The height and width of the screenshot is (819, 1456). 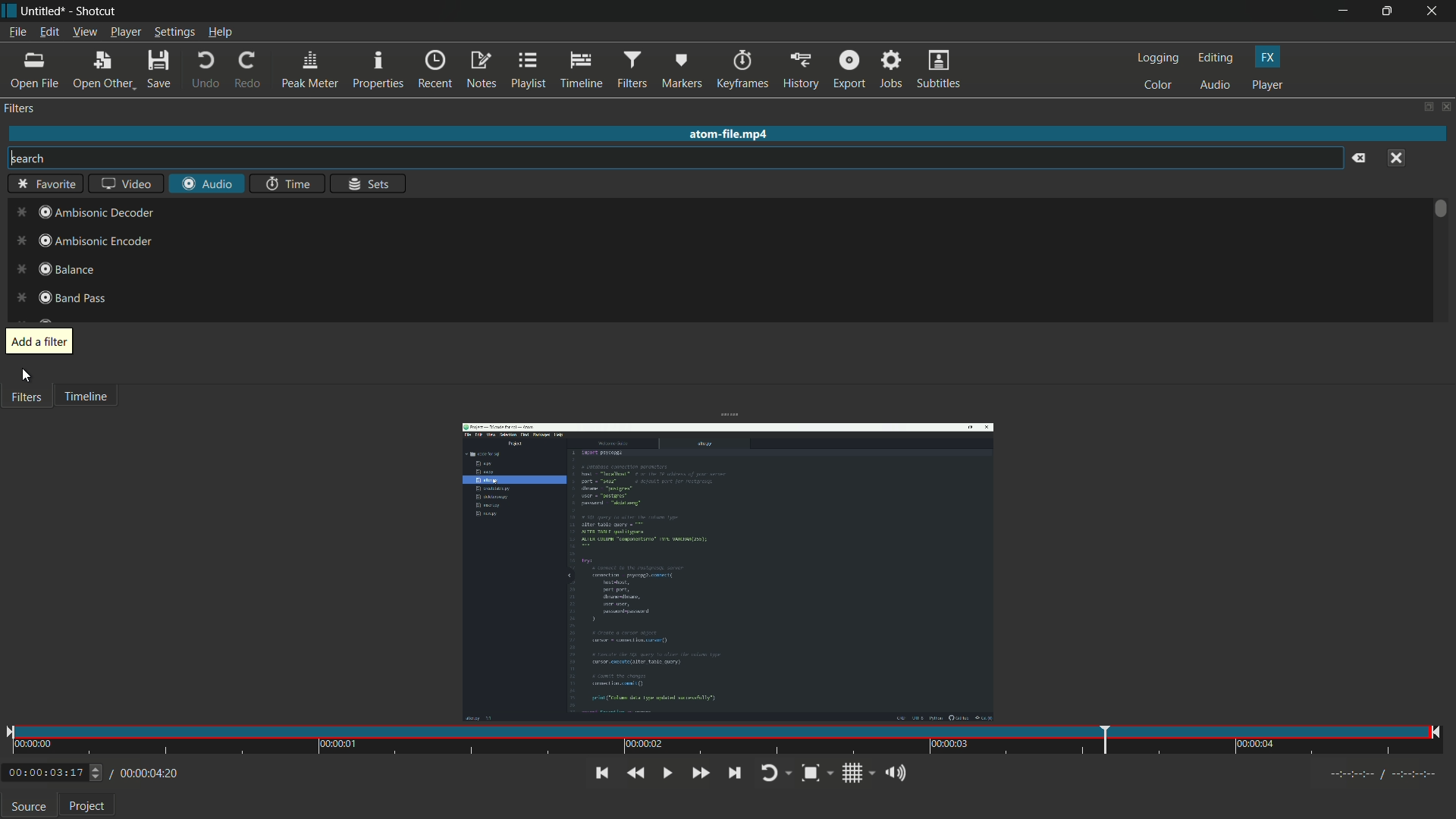 I want to click on maximize, so click(x=1389, y=11).